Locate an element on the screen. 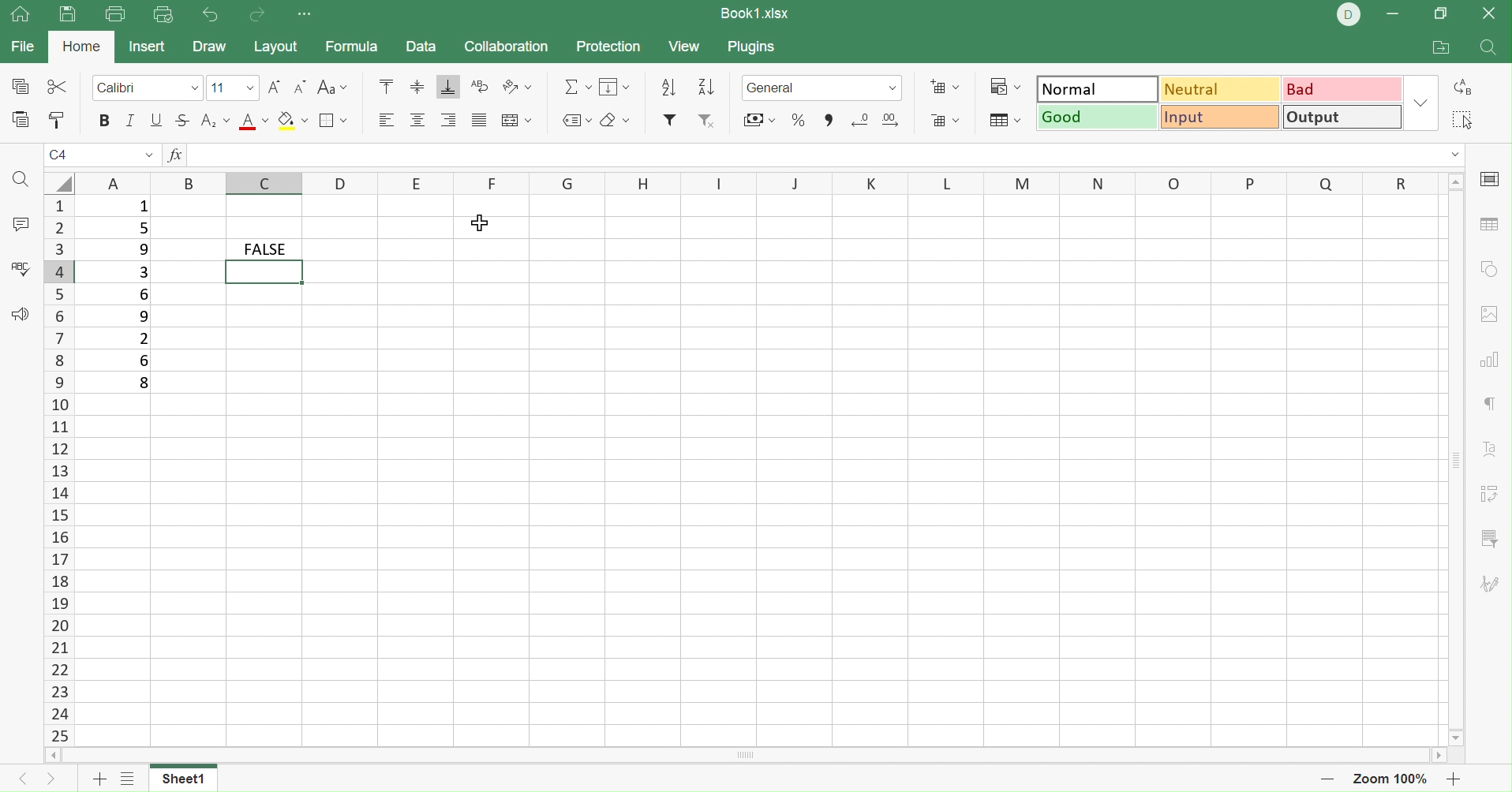 This screenshot has width=1512, height=792. 8 is located at coordinates (144, 386).